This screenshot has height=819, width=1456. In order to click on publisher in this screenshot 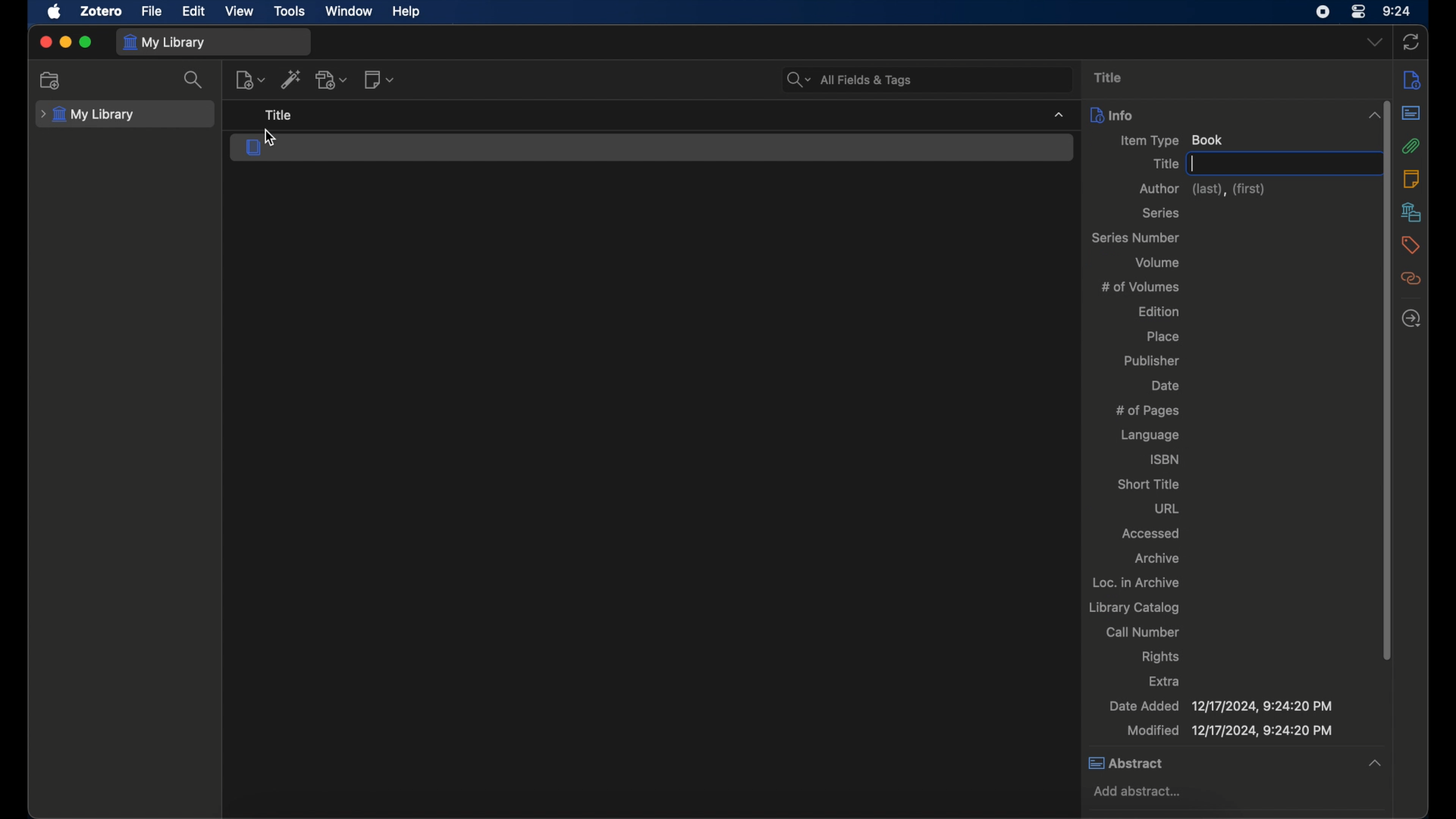, I will do `click(1151, 360)`.